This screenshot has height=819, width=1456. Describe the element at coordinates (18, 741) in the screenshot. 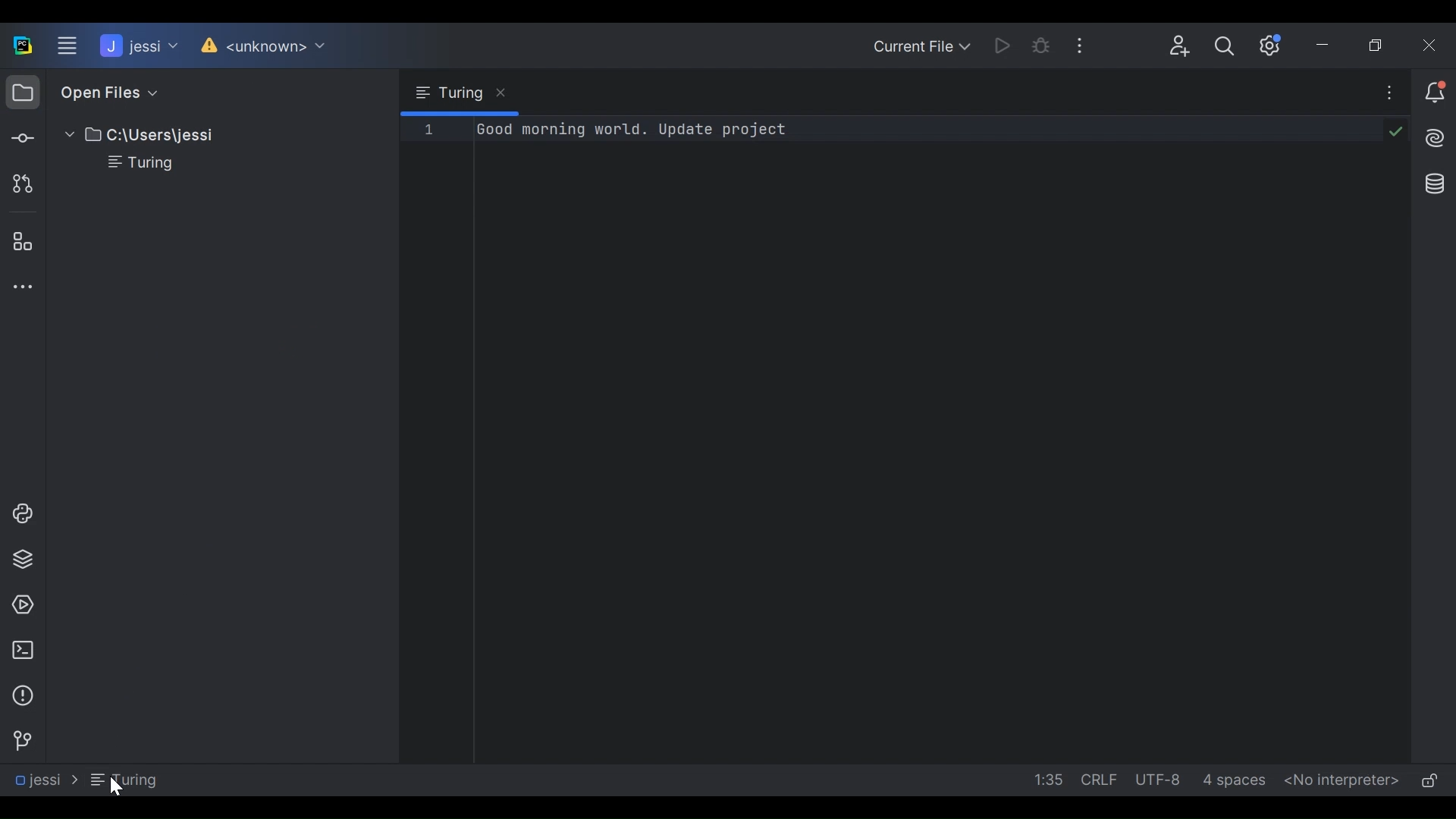

I see `Version Control` at that location.